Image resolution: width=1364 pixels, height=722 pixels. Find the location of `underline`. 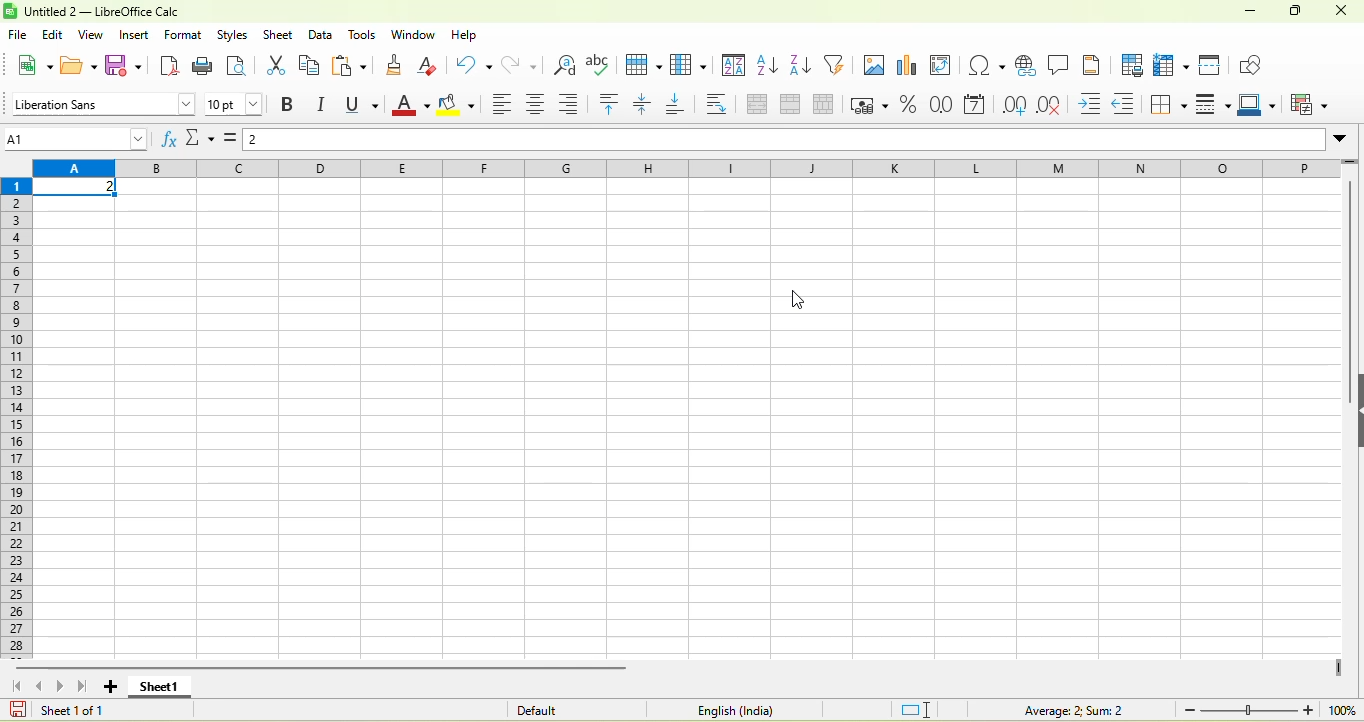

underline is located at coordinates (370, 105).